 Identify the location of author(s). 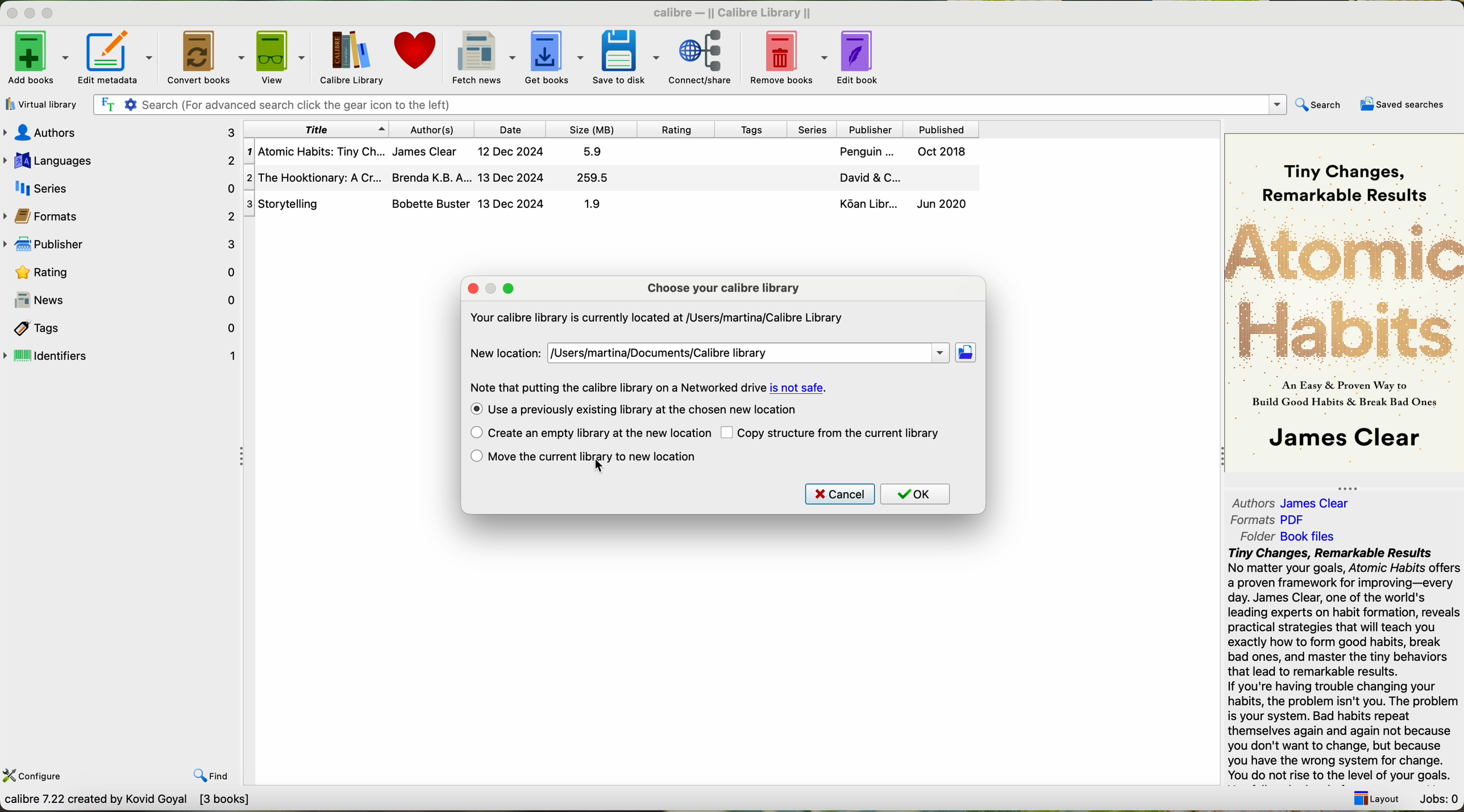
(432, 130).